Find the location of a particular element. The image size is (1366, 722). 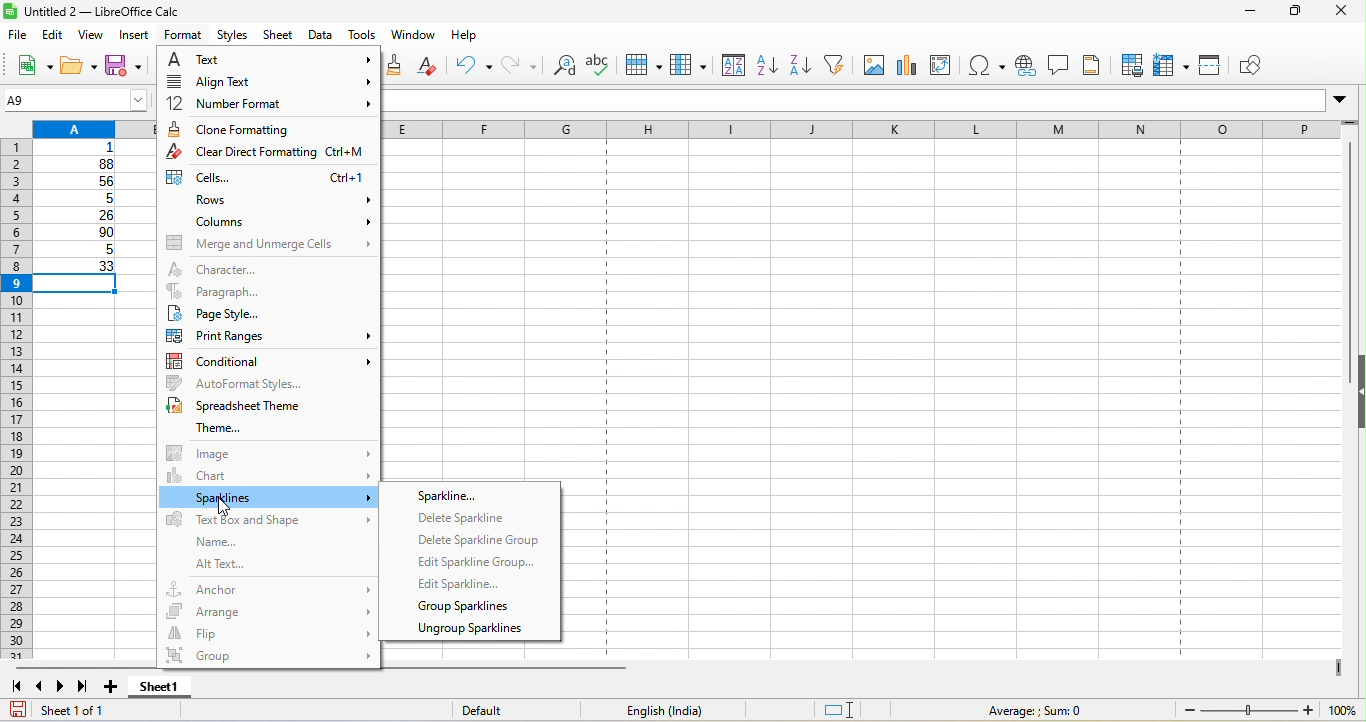

33 is located at coordinates (78, 267).